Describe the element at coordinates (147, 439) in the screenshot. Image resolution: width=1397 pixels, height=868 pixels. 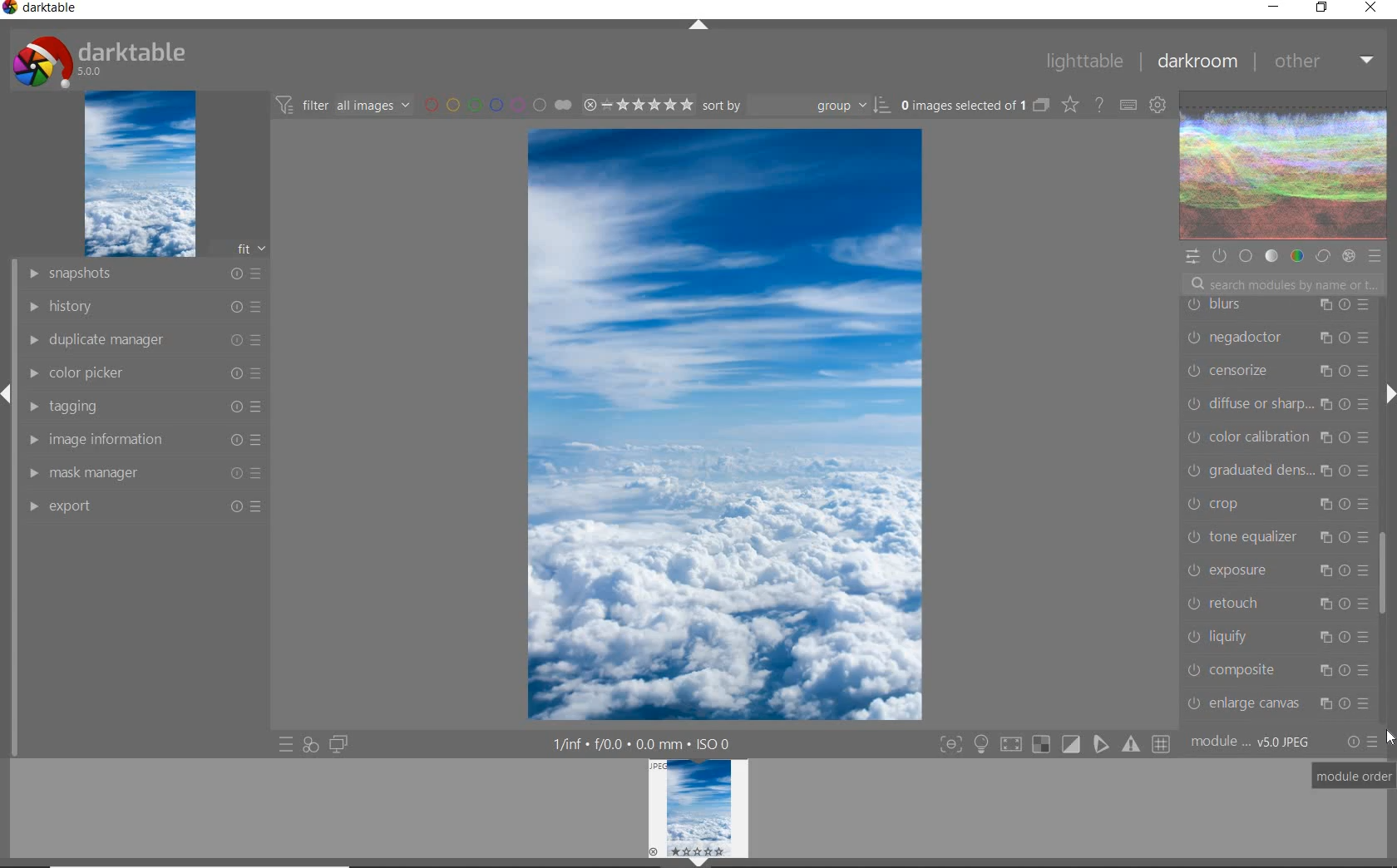
I see `IMAGE INFORMATION` at that location.